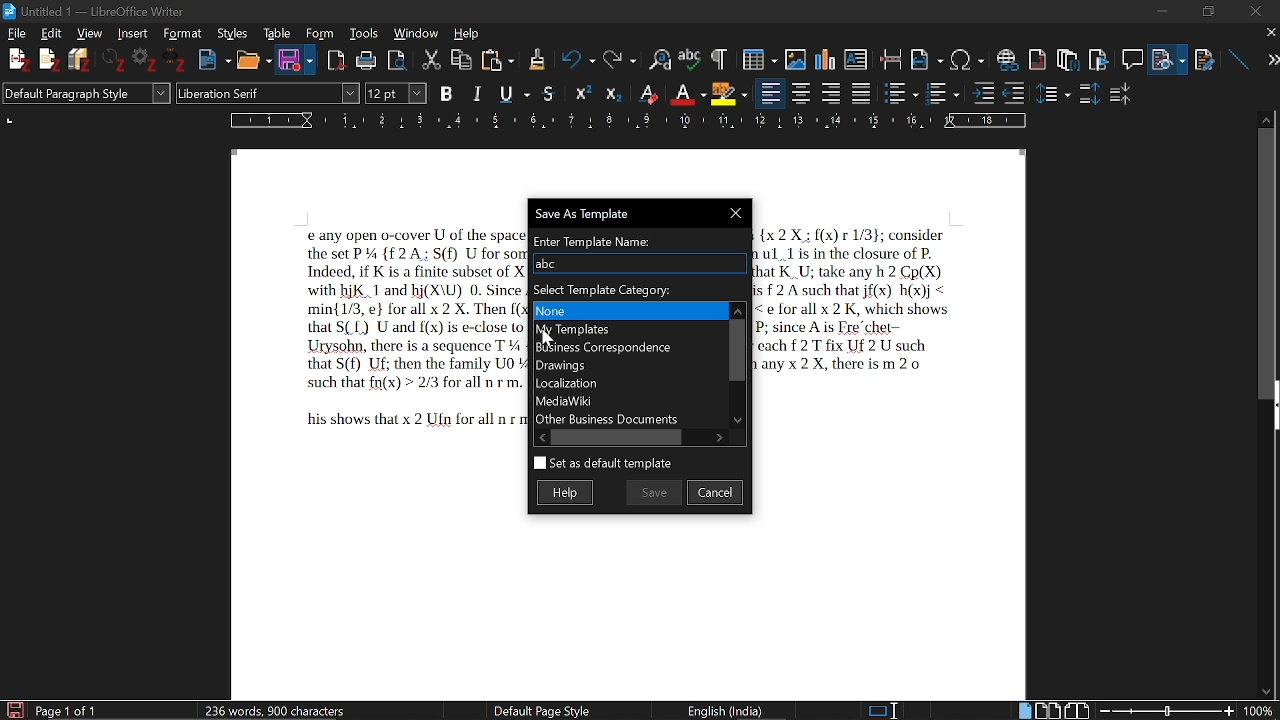  I want to click on align left, so click(771, 92).